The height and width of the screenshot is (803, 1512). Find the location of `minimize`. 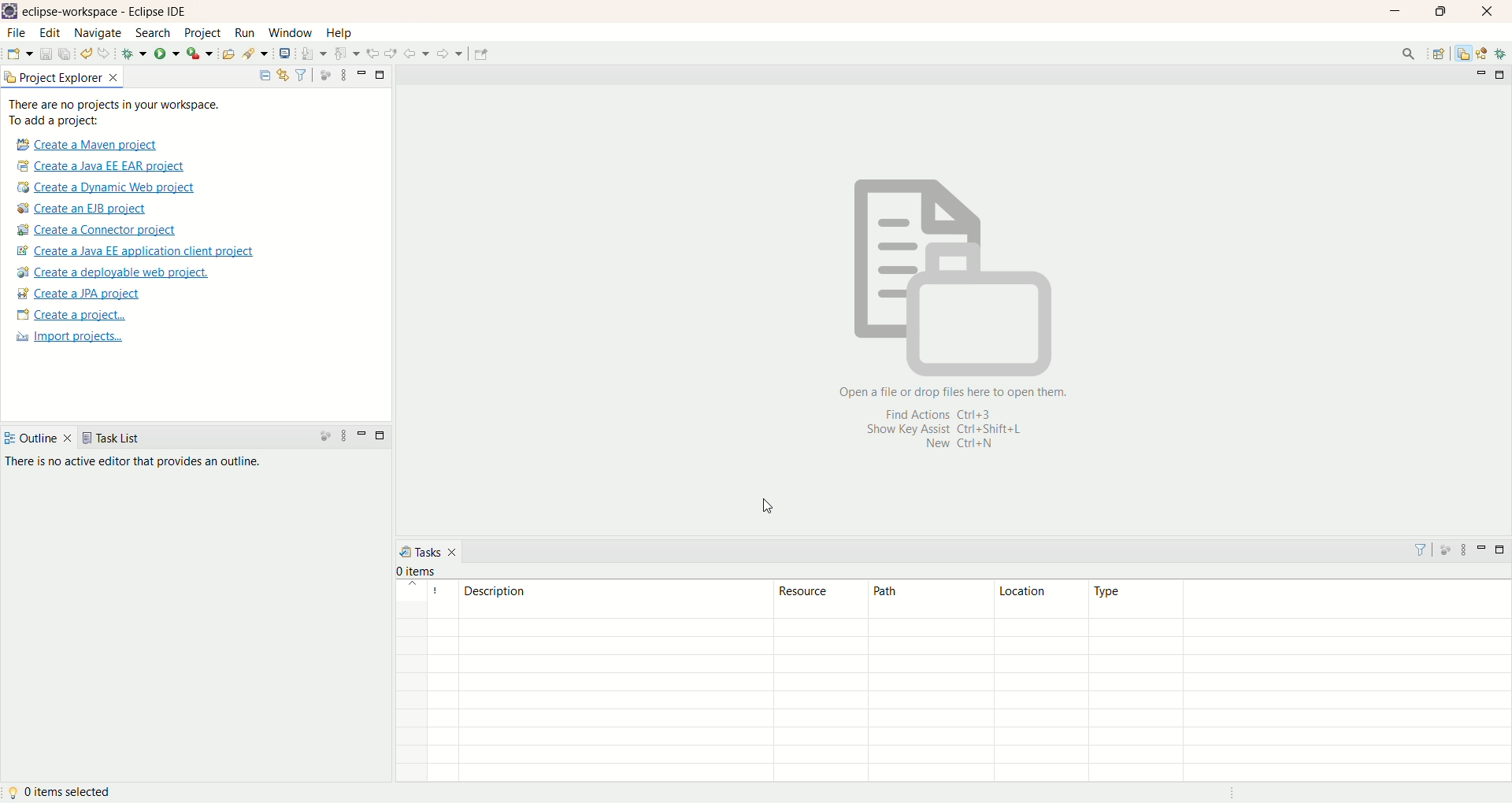

minimize is located at coordinates (359, 75).